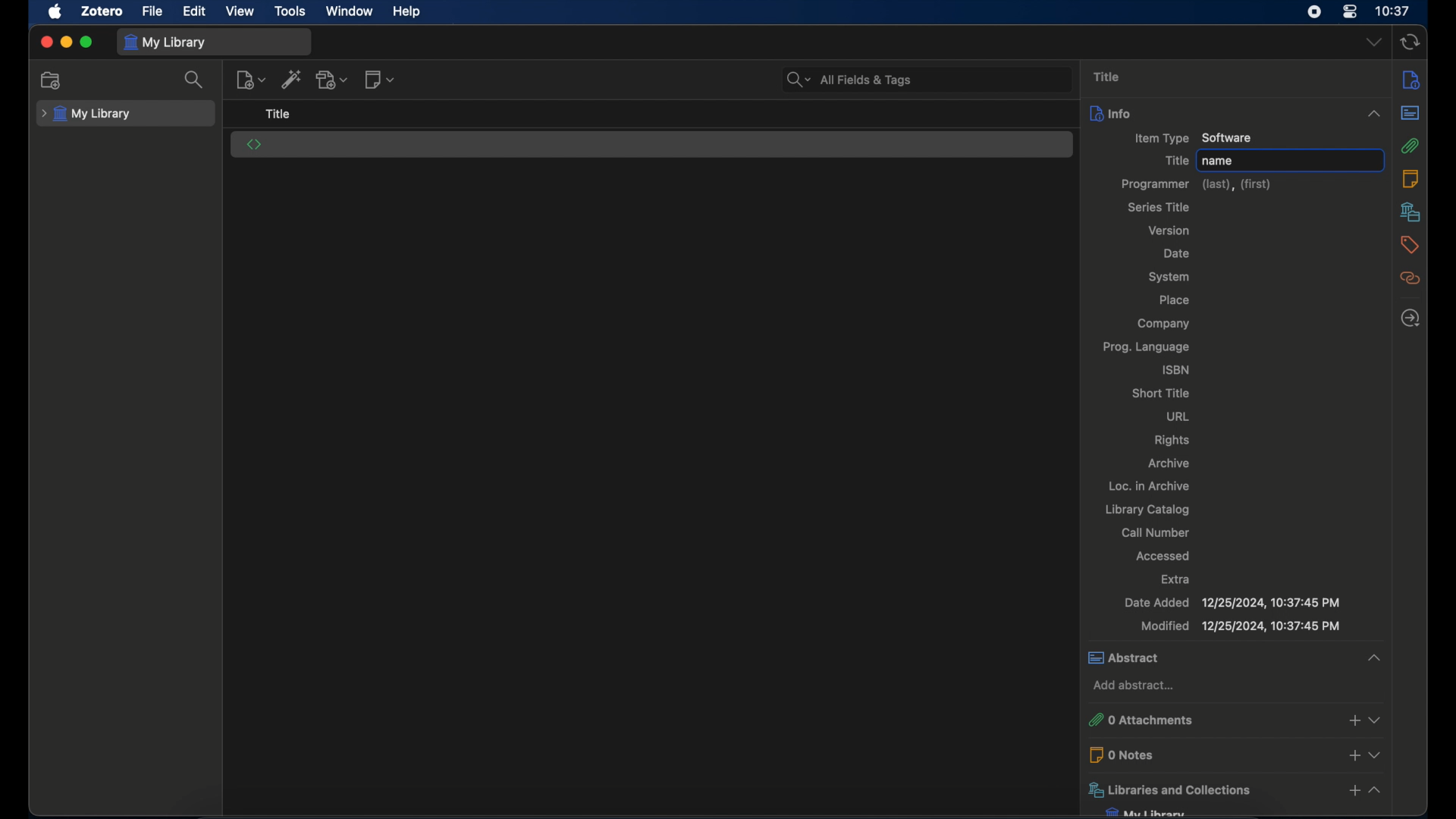 This screenshot has width=1456, height=819. What do you see at coordinates (1147, 347) in the screenshot?
I see `prog. language` at bounding box center [1147, 347].